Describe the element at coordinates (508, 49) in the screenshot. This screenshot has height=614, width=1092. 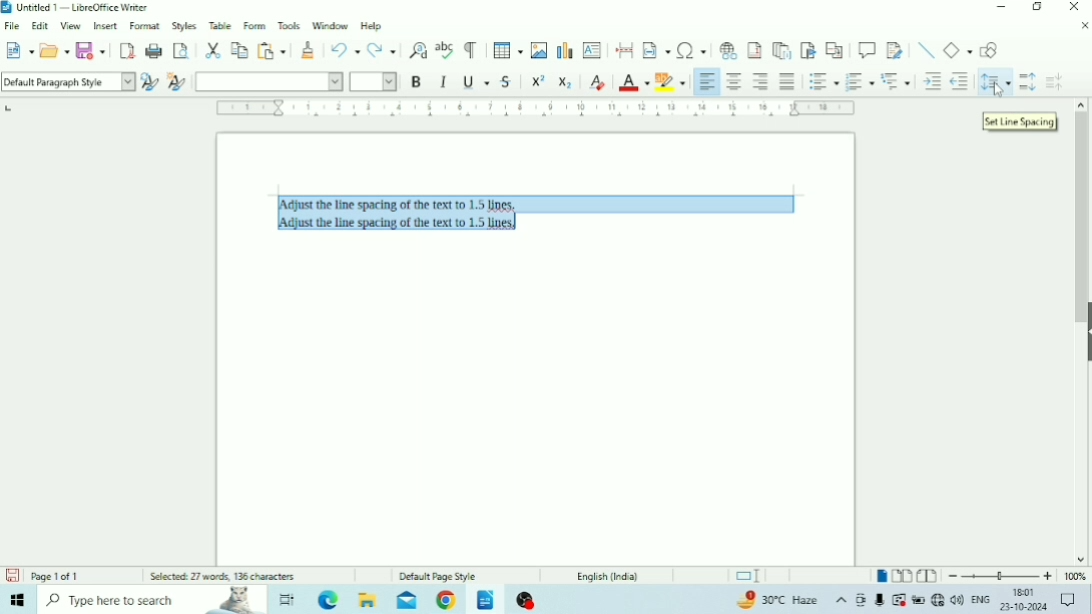
I see `Insert Table` at that location.